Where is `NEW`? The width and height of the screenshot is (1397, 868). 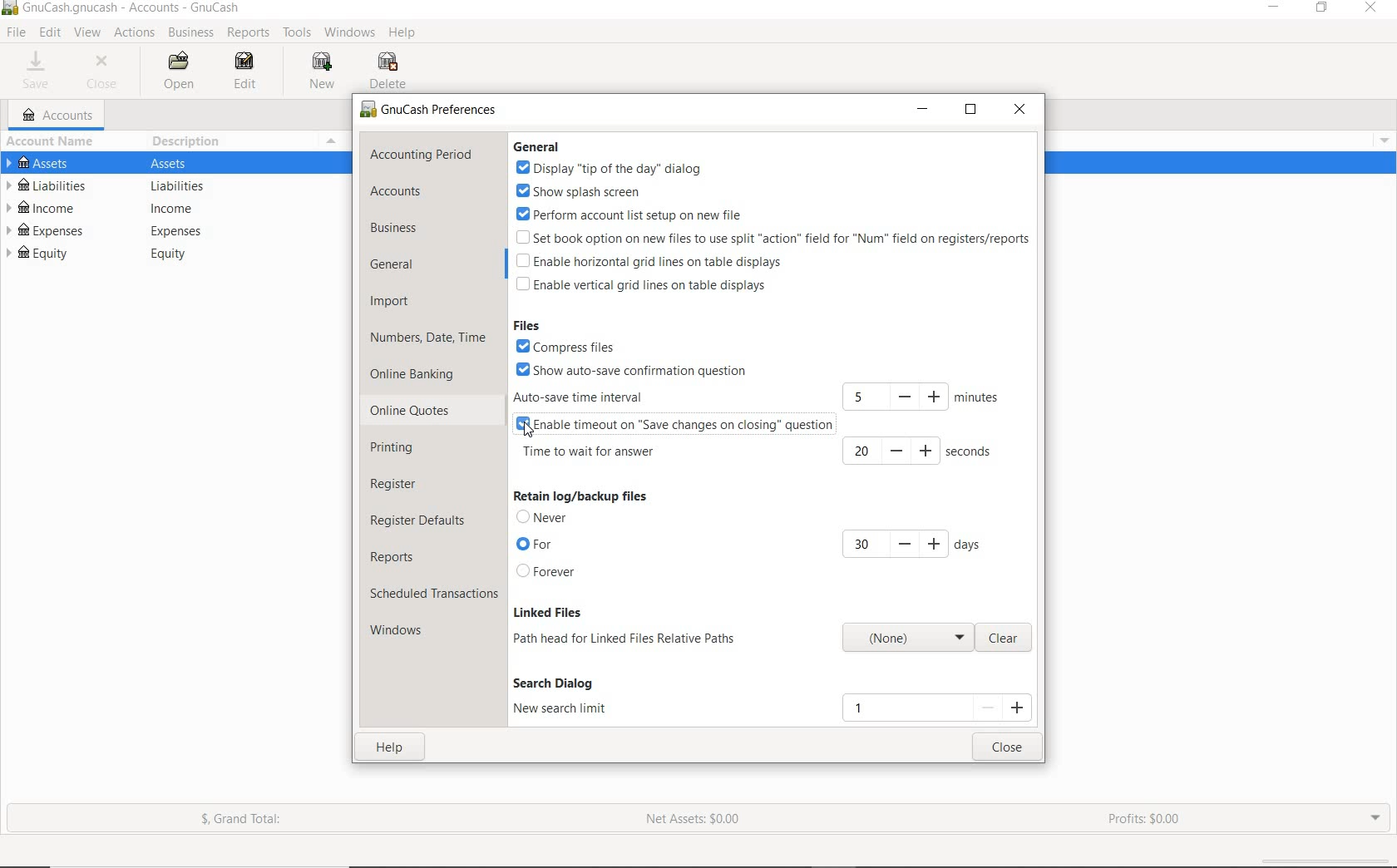
NEW is located at coordinates (326, 72).